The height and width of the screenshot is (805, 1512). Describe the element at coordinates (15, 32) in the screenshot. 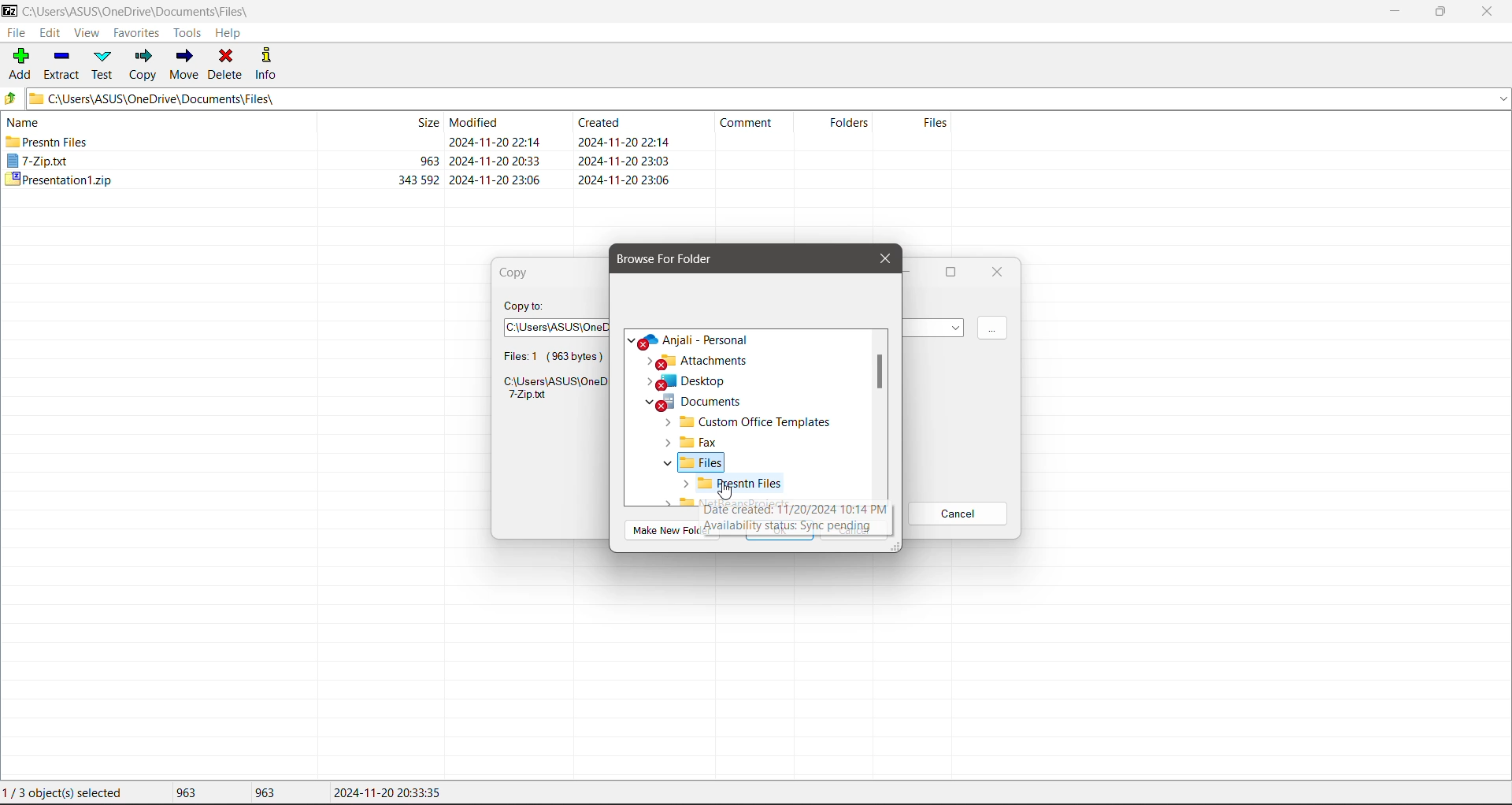

I see `File` at that location.